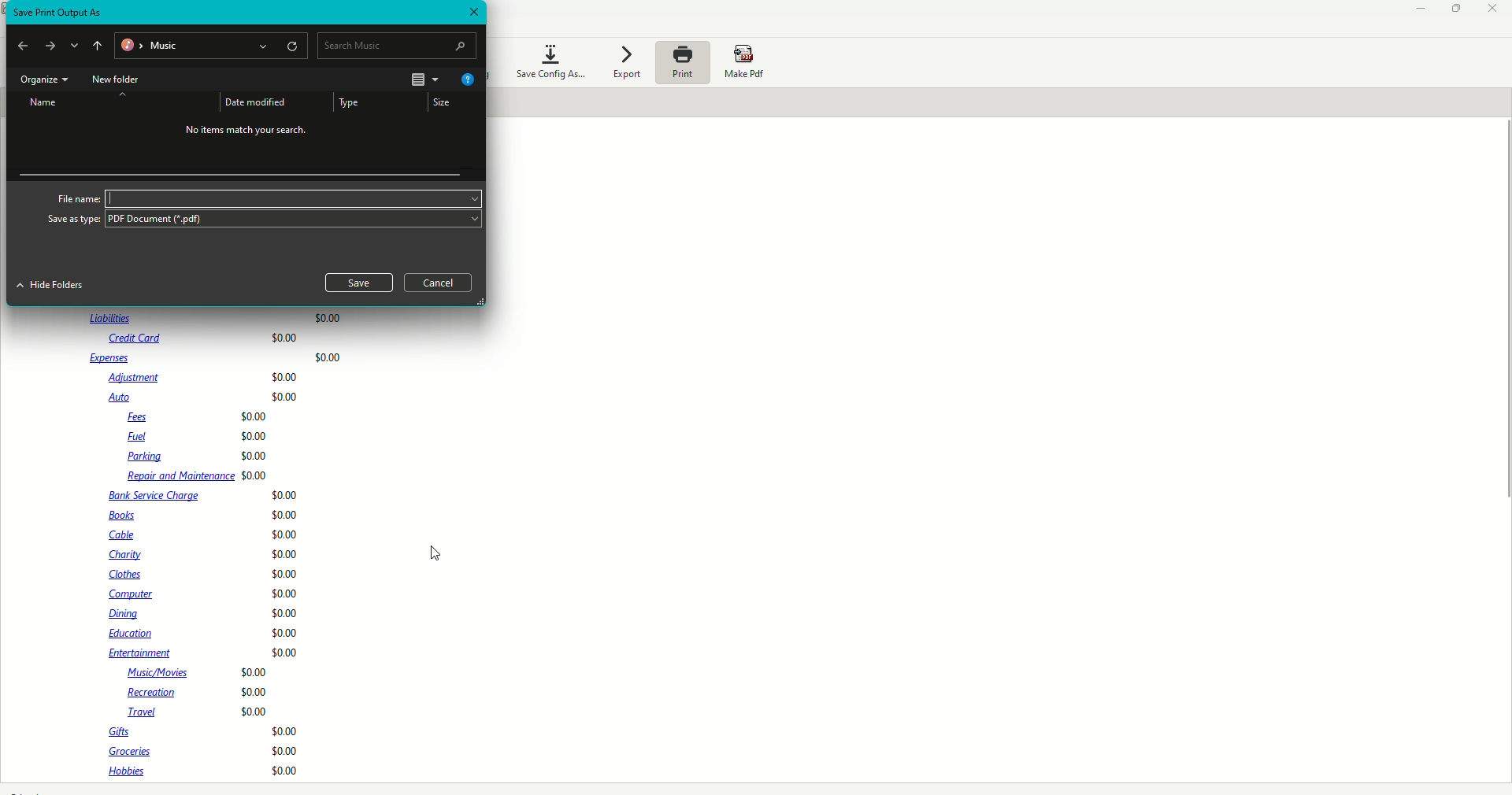 This screenshot has height=795, width=1512. I want to click on View, so click(423, 79).